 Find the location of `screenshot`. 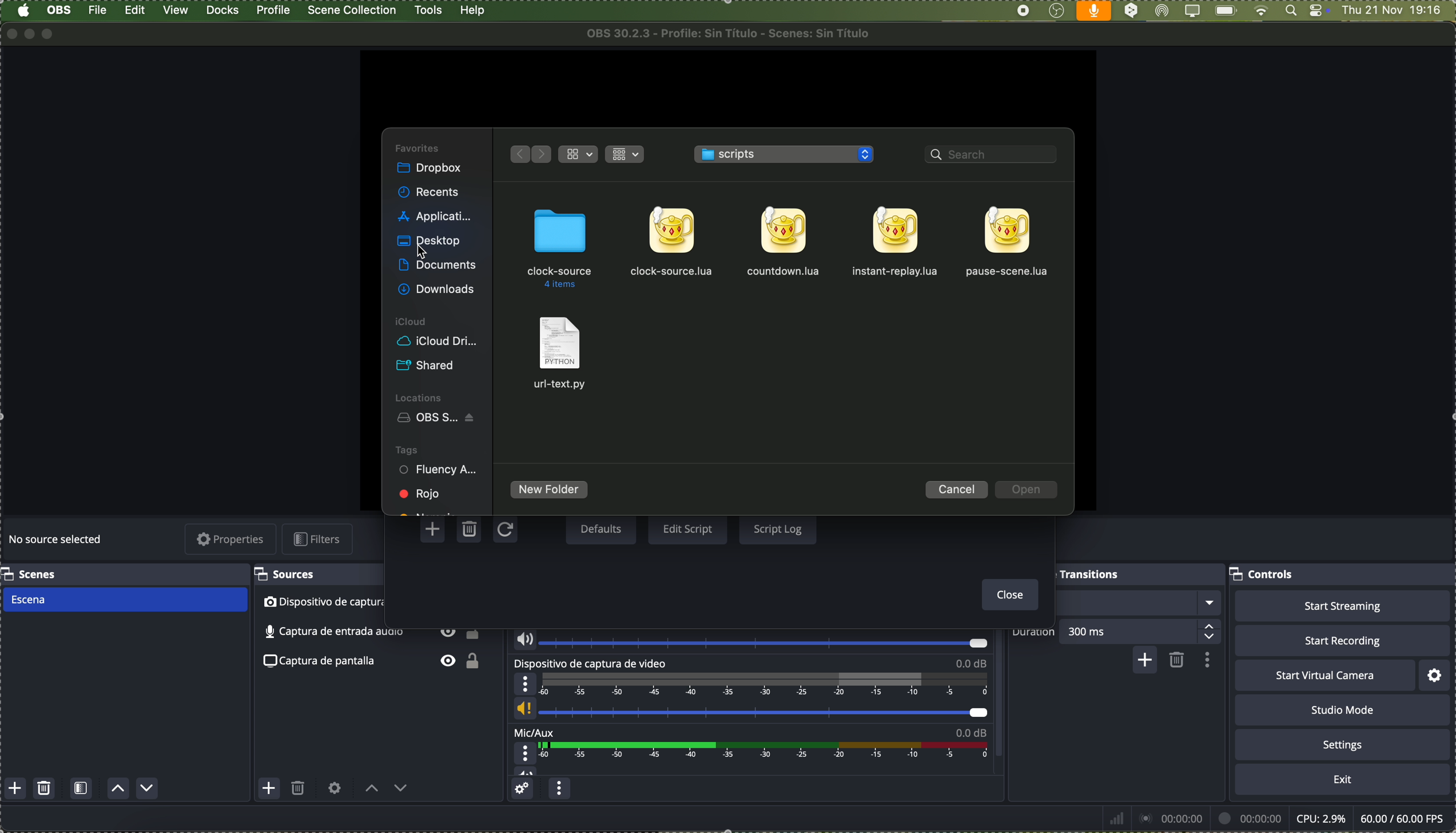

screenshot is located at coordinates (376, 663).